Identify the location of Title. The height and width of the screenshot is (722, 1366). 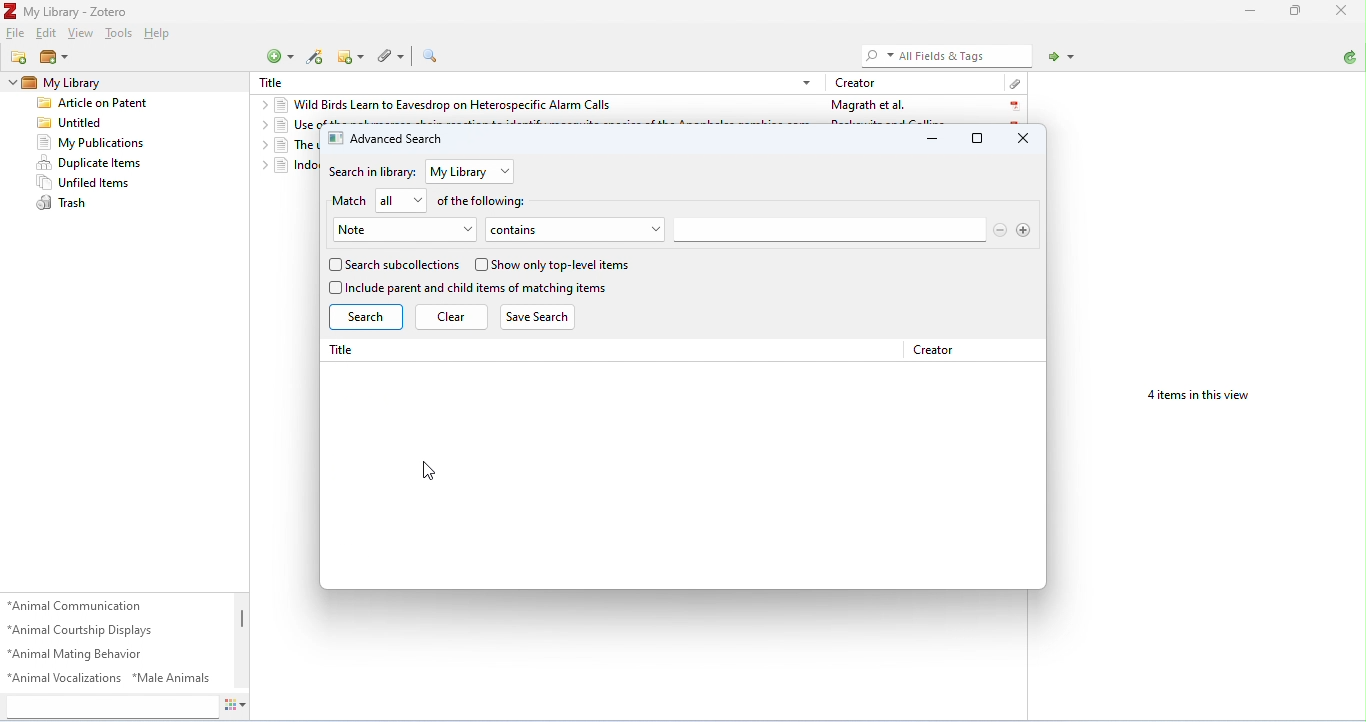
(346, 351).